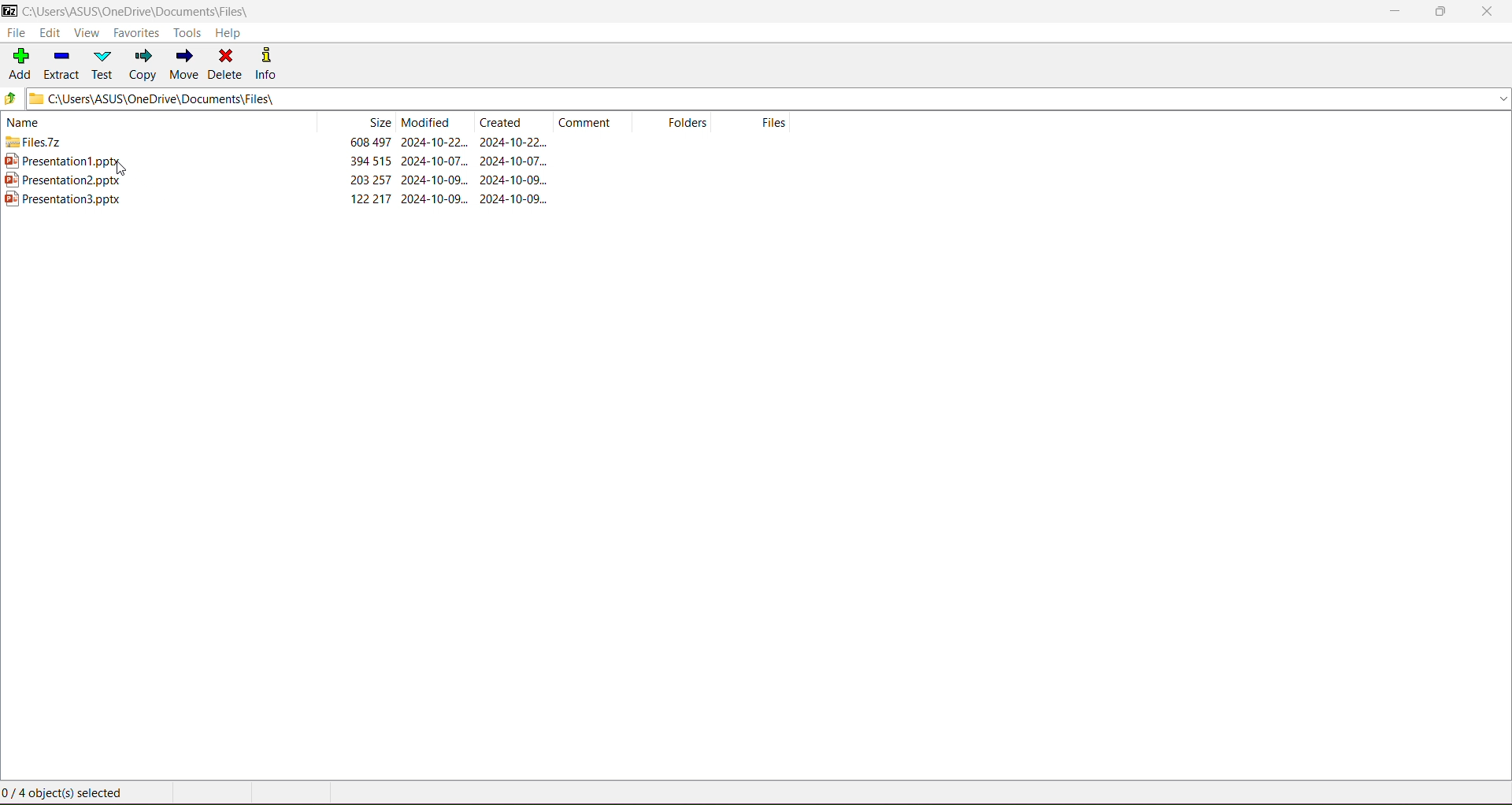 This screenshot has height=805, width=1512. I want to click on Move, so click(187, 65).